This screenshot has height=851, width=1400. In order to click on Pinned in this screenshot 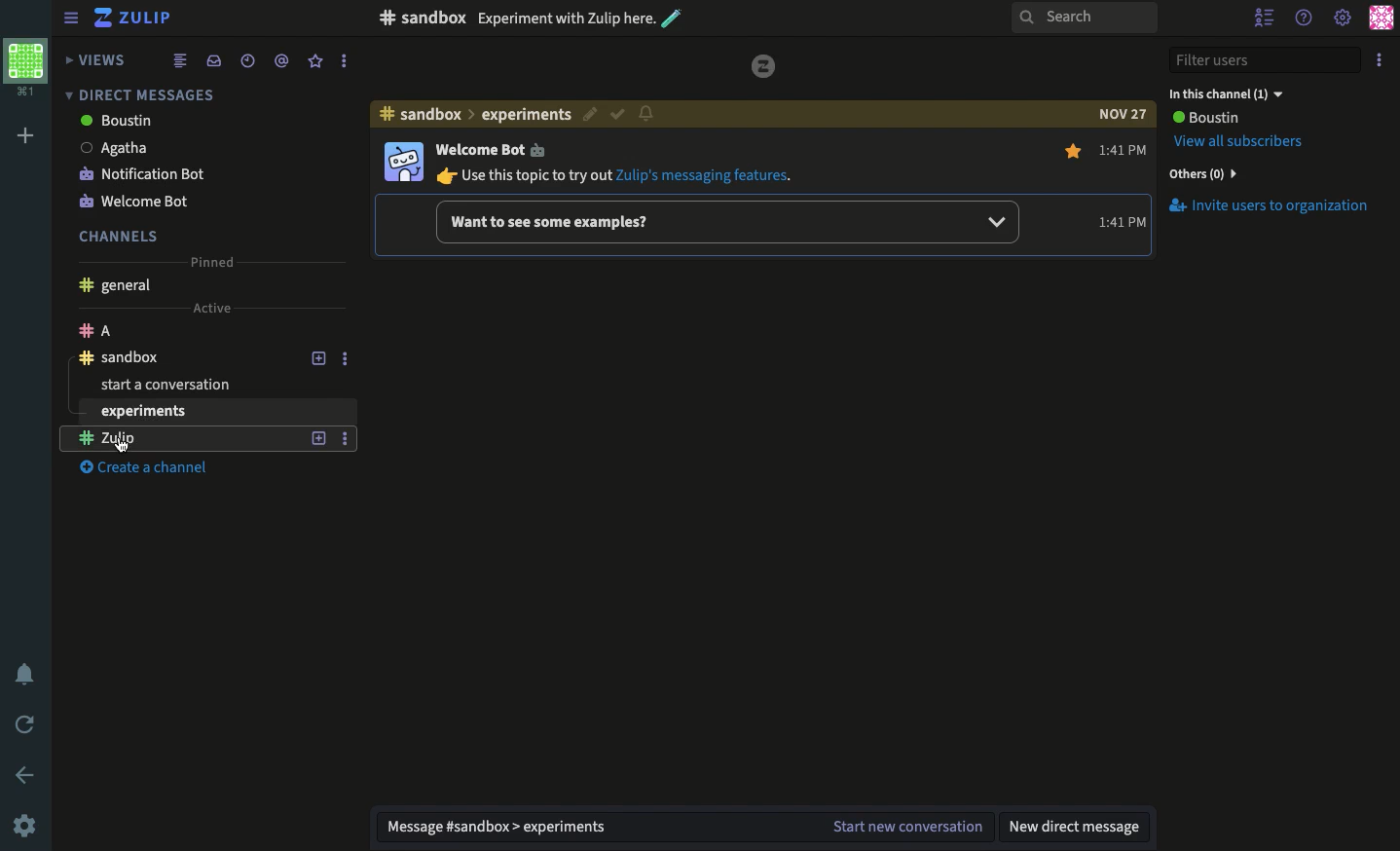, I will do `click(210, 259)`.